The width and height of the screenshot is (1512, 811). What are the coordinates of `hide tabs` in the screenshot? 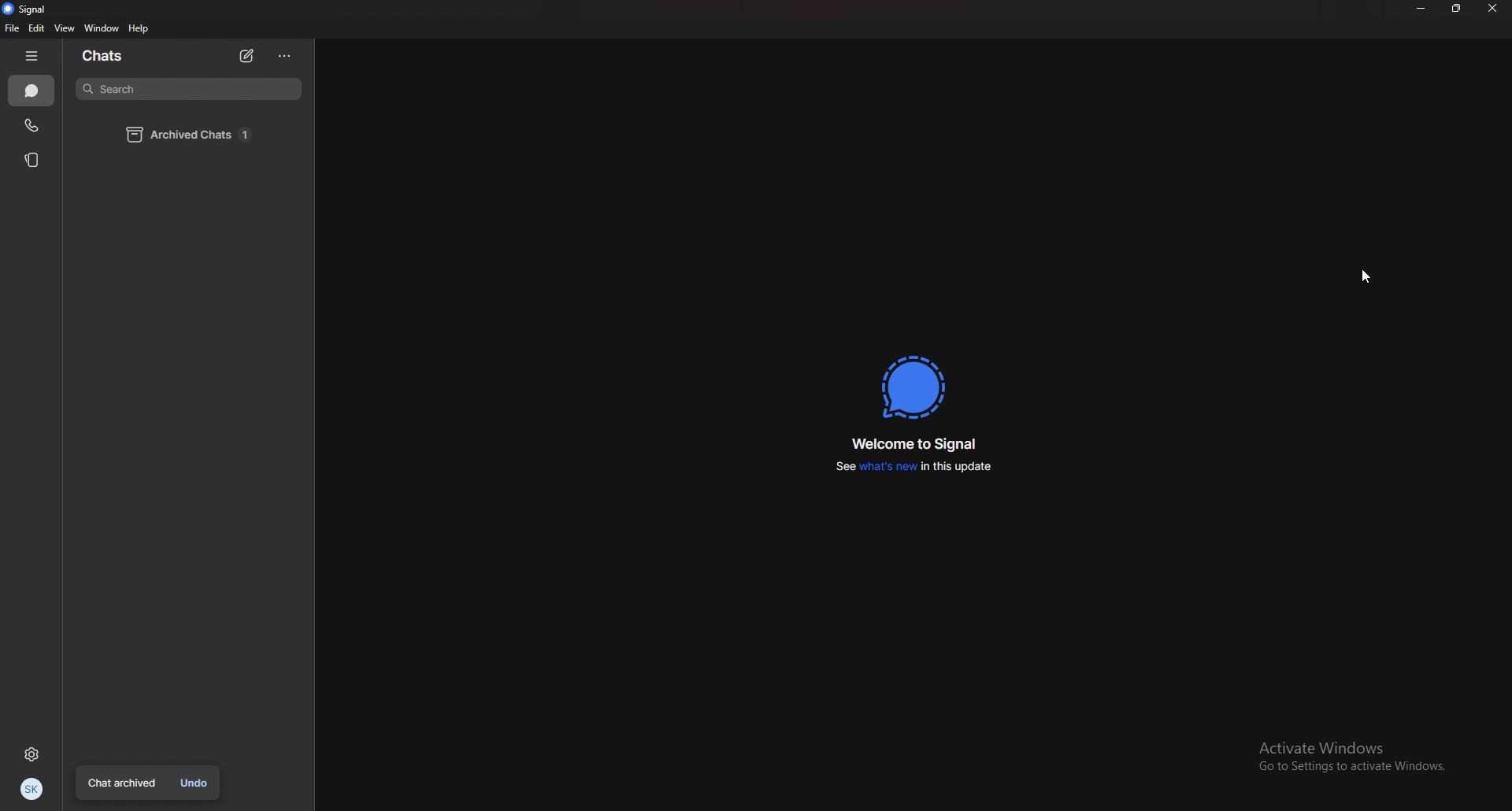 It's located at (35, 57).